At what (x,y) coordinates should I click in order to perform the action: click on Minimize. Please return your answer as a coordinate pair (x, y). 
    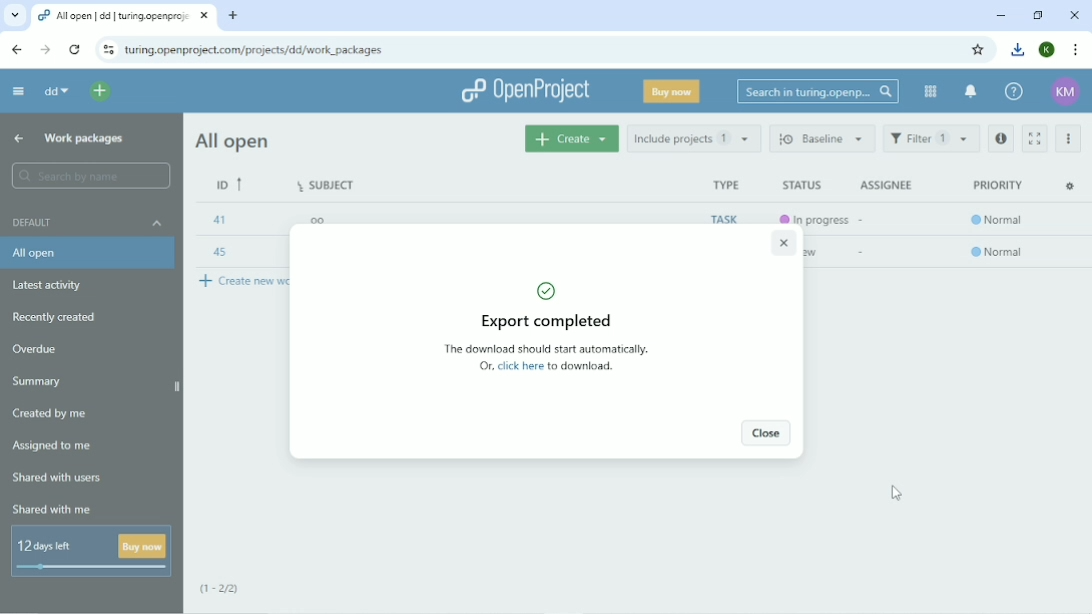
    Looking at the image, I should click on (999, 15).